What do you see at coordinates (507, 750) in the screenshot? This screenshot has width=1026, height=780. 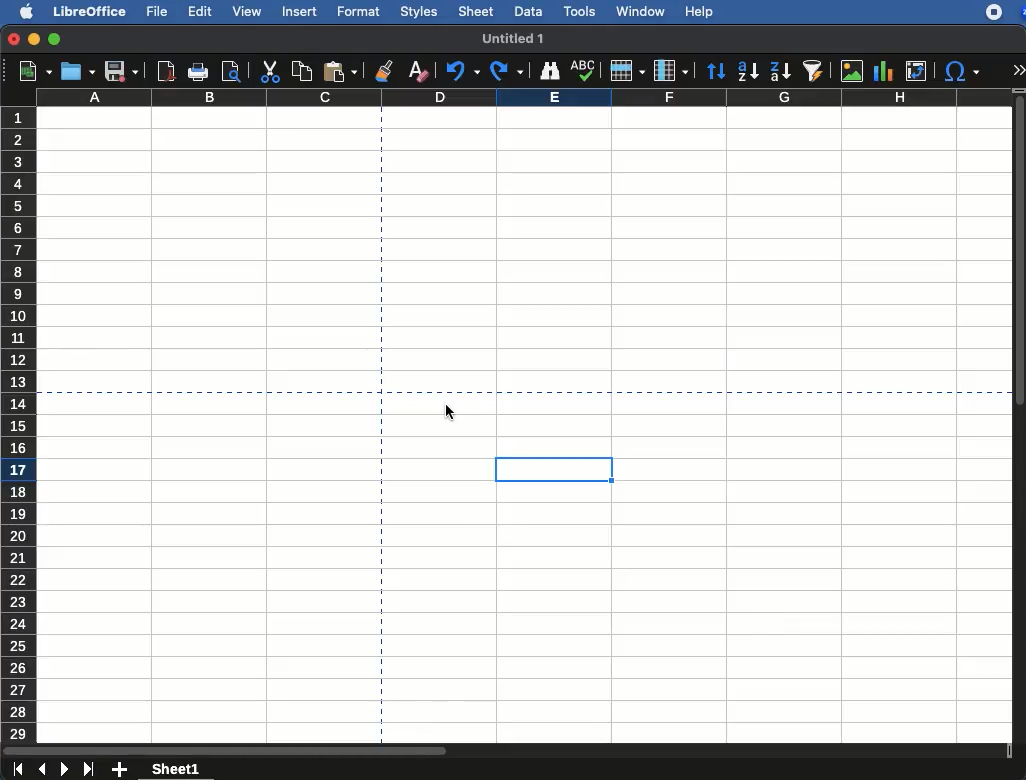 I see `scroll` at bounding box center [507, 750].